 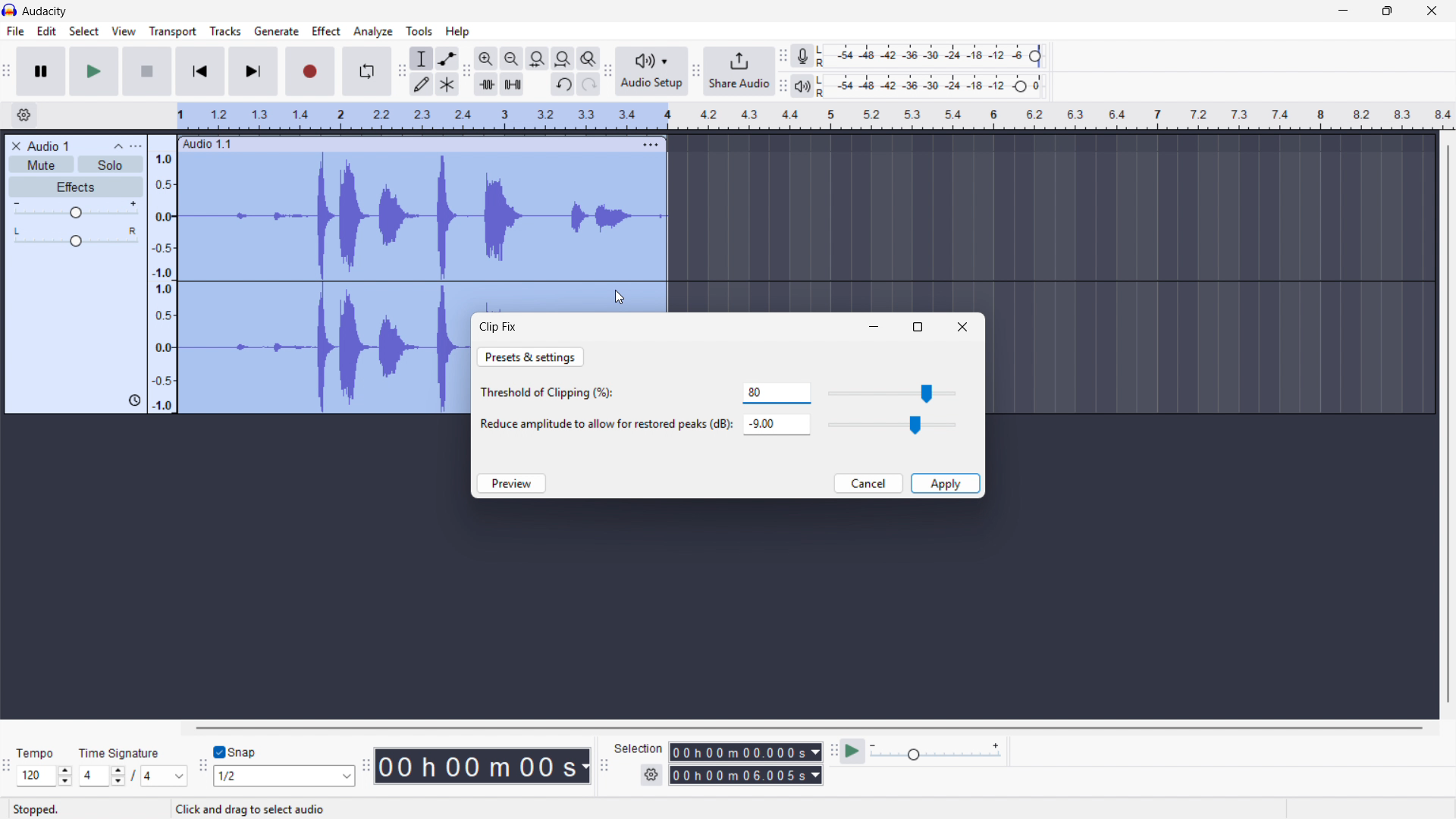 I want to click on Track control panel menu, so click(x=136, y=146).